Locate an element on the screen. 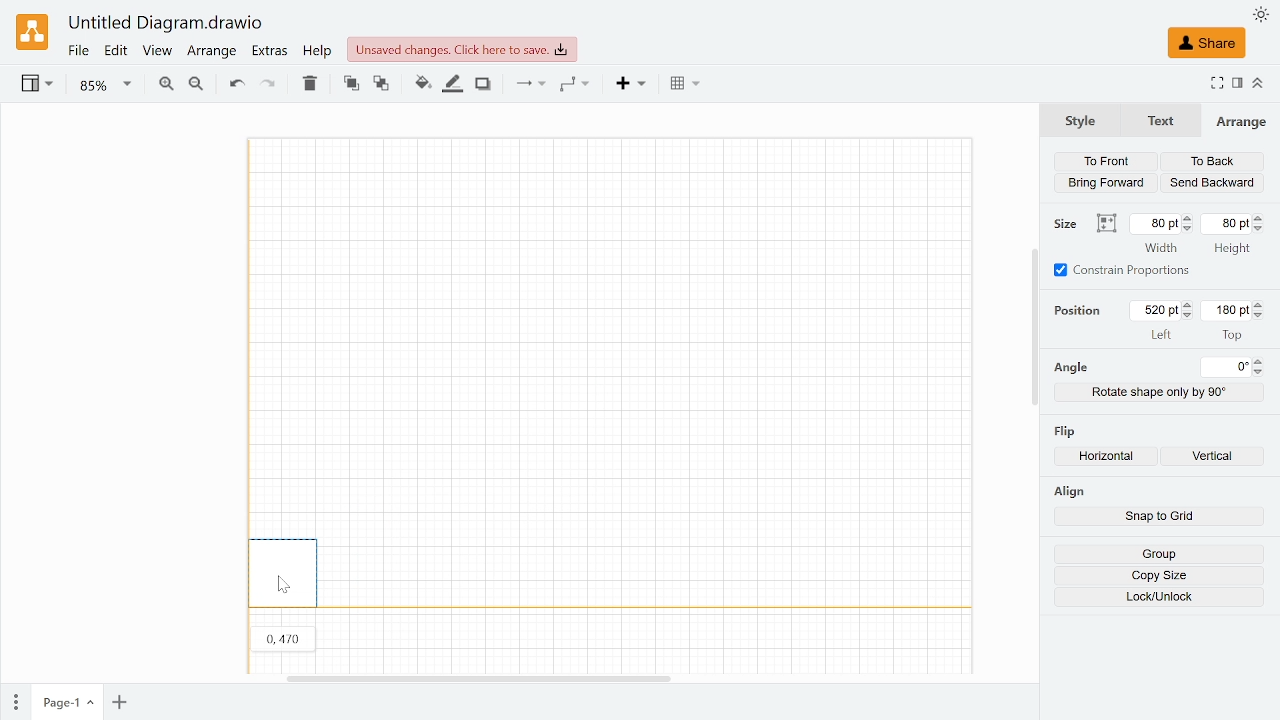  Draw.io logo is located at coordinates (34, 31).